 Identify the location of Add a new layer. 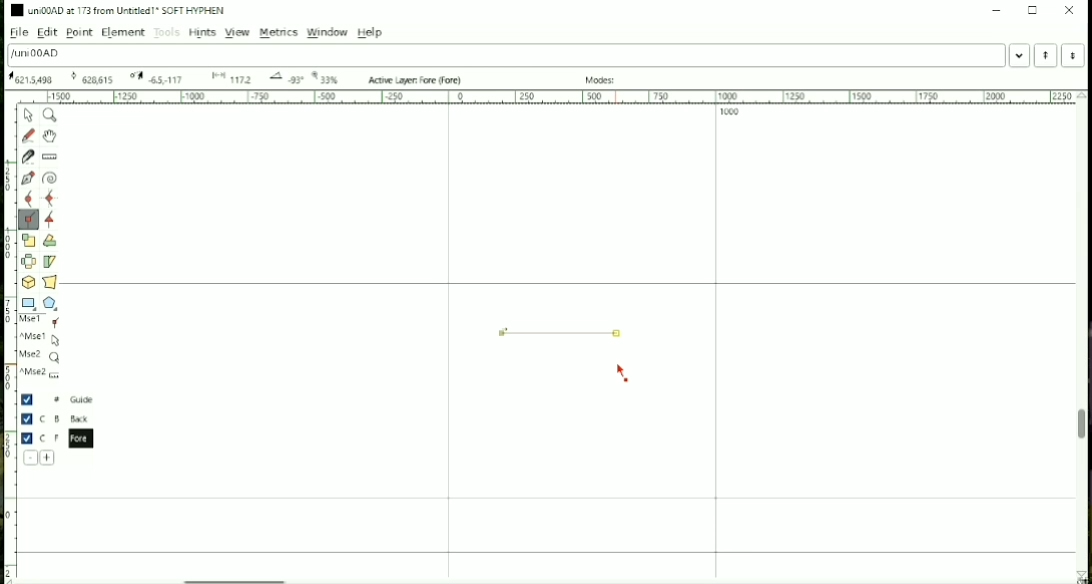
(48, 458).